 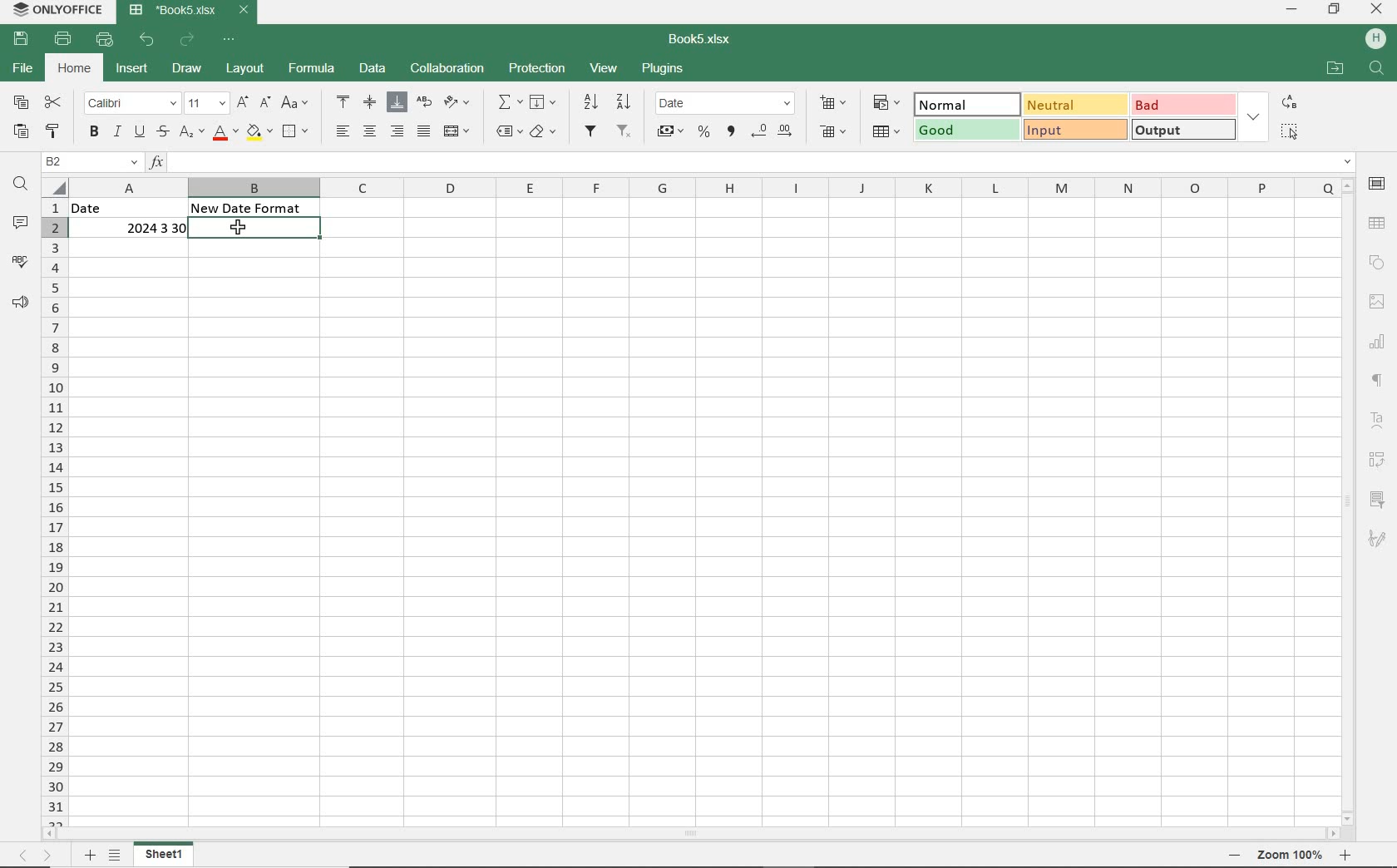 I want to click on HOME, so click(x=77, y=67).